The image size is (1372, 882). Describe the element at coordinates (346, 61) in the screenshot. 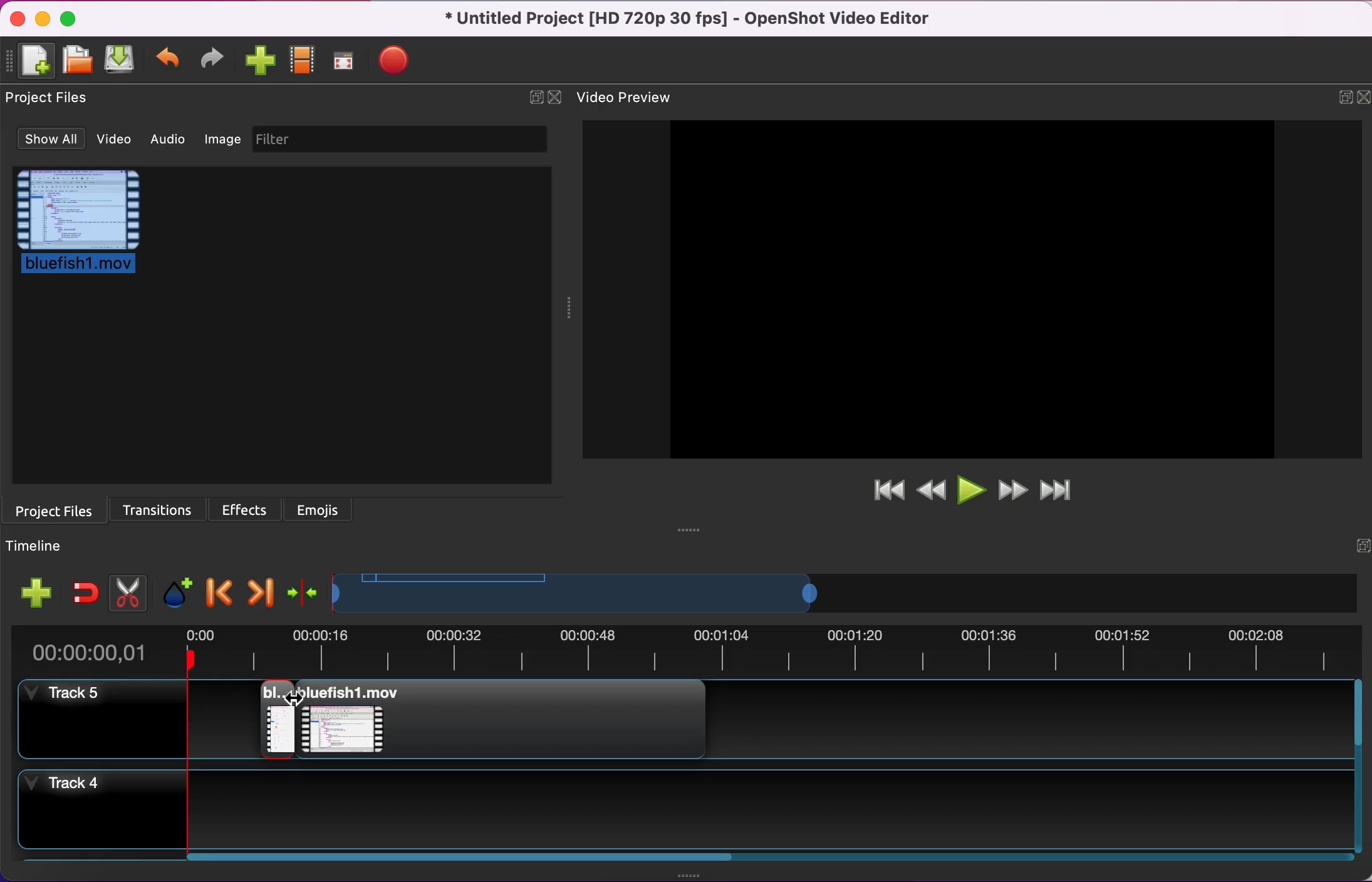

I see `full screen` at that location.